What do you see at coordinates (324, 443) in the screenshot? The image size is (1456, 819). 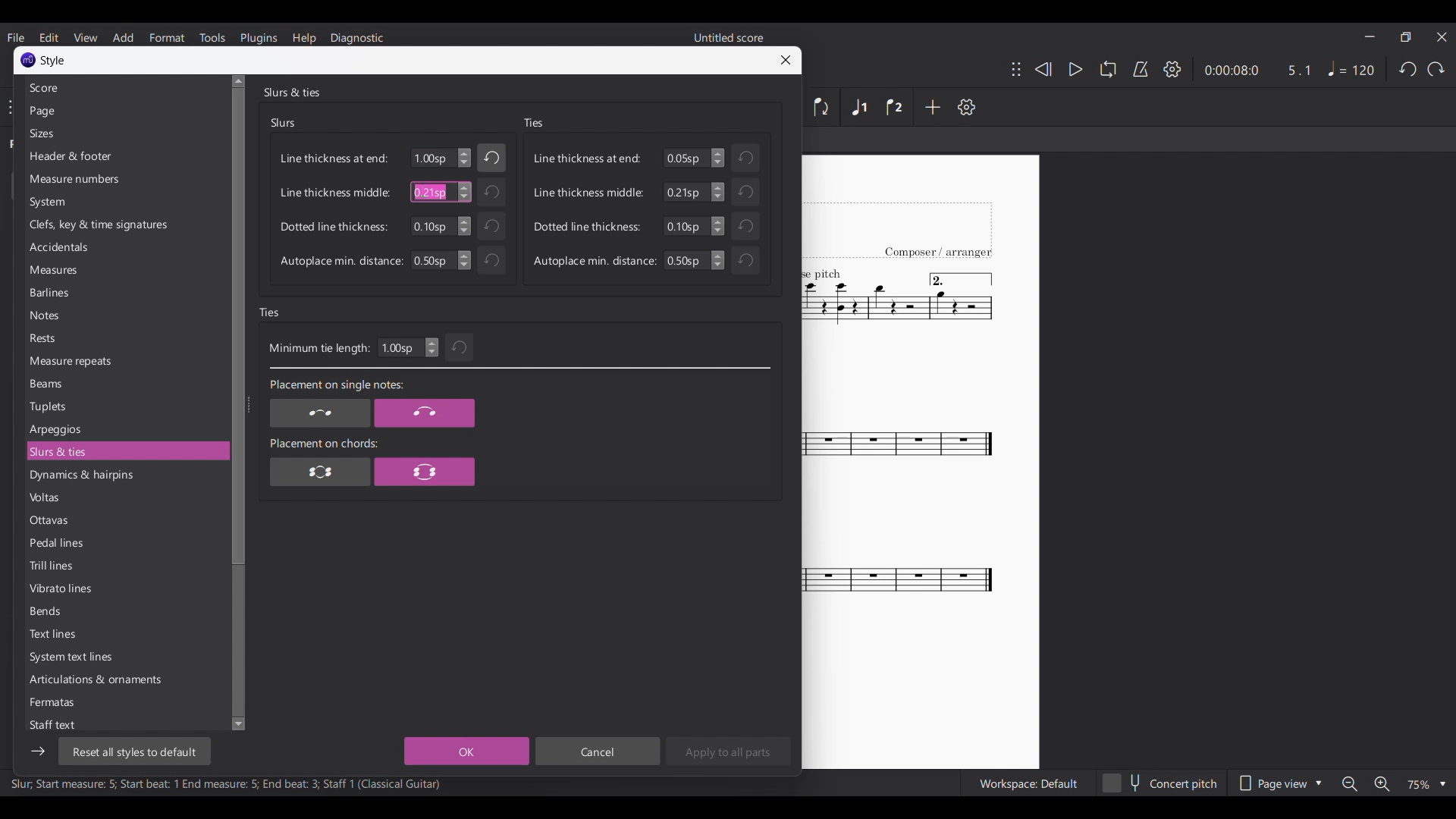 I see `Placement on chord` at bounding box center [324, 443].